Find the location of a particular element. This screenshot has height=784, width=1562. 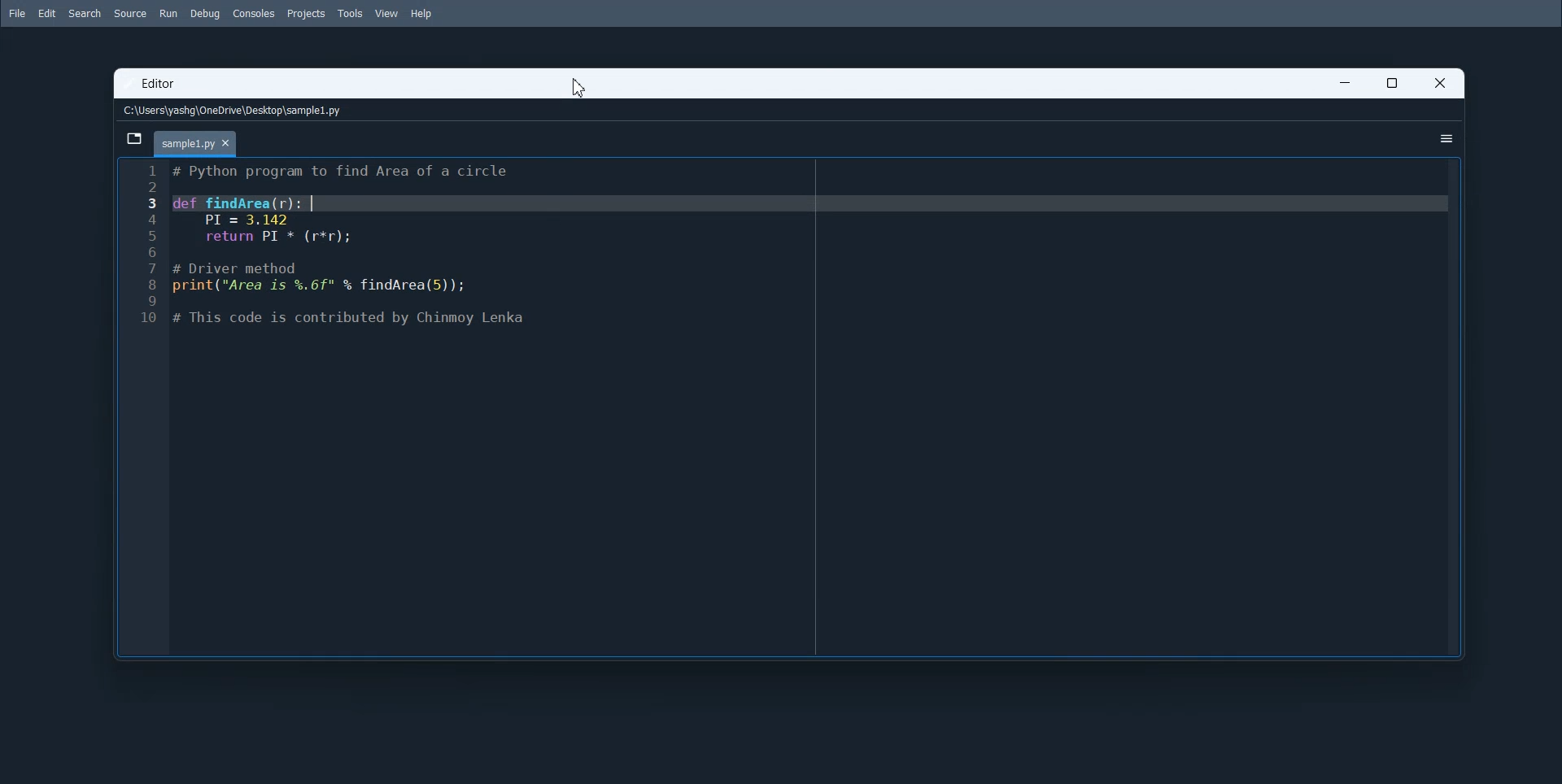

Help is located at coordinates (422, 15).